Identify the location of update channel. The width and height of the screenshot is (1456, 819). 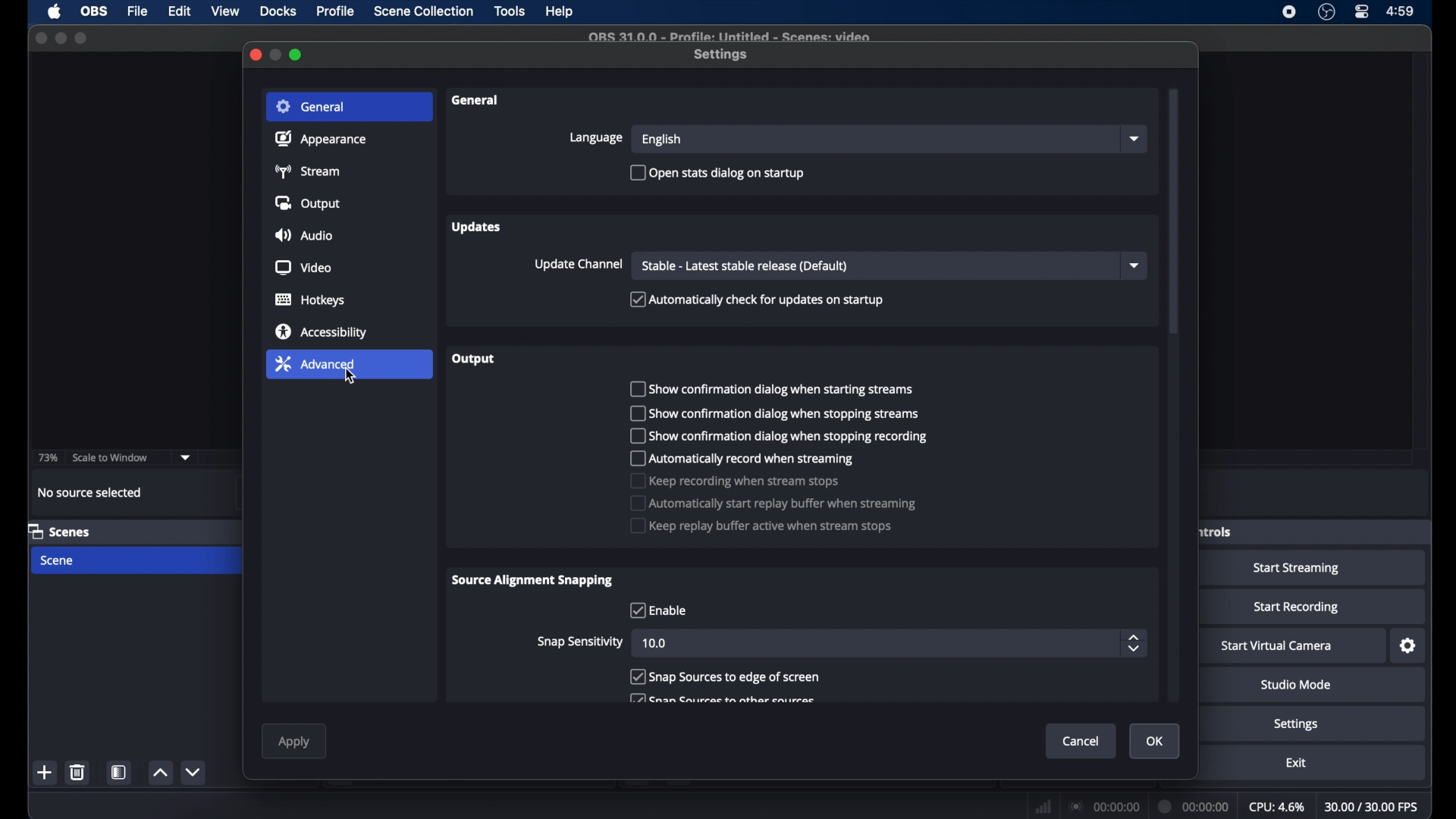
(579, 265).